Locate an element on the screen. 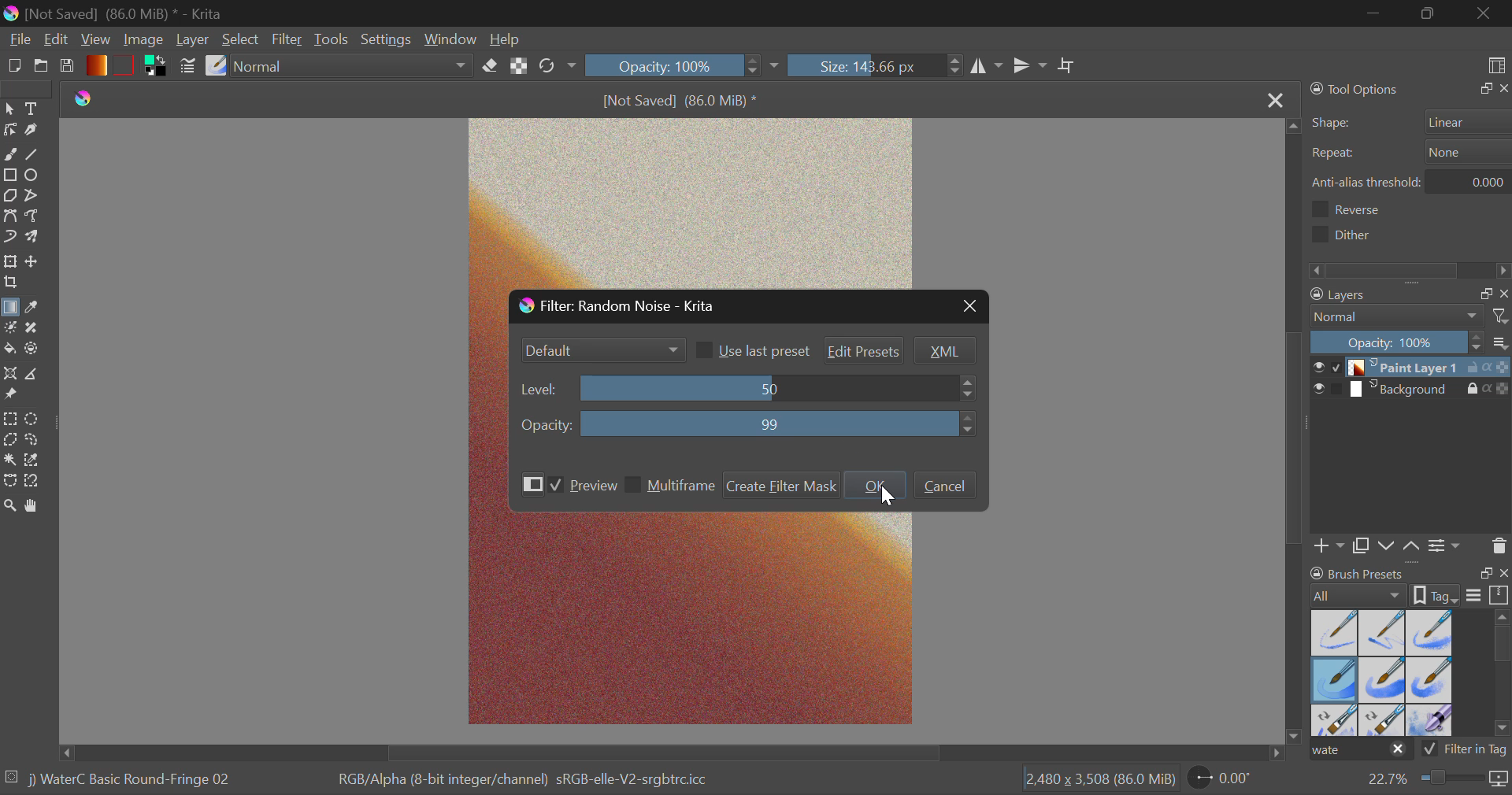 Image resolution: width=1512 pixels, height=795 pixels. Scroll Bar is located at coordinates (667, 753).